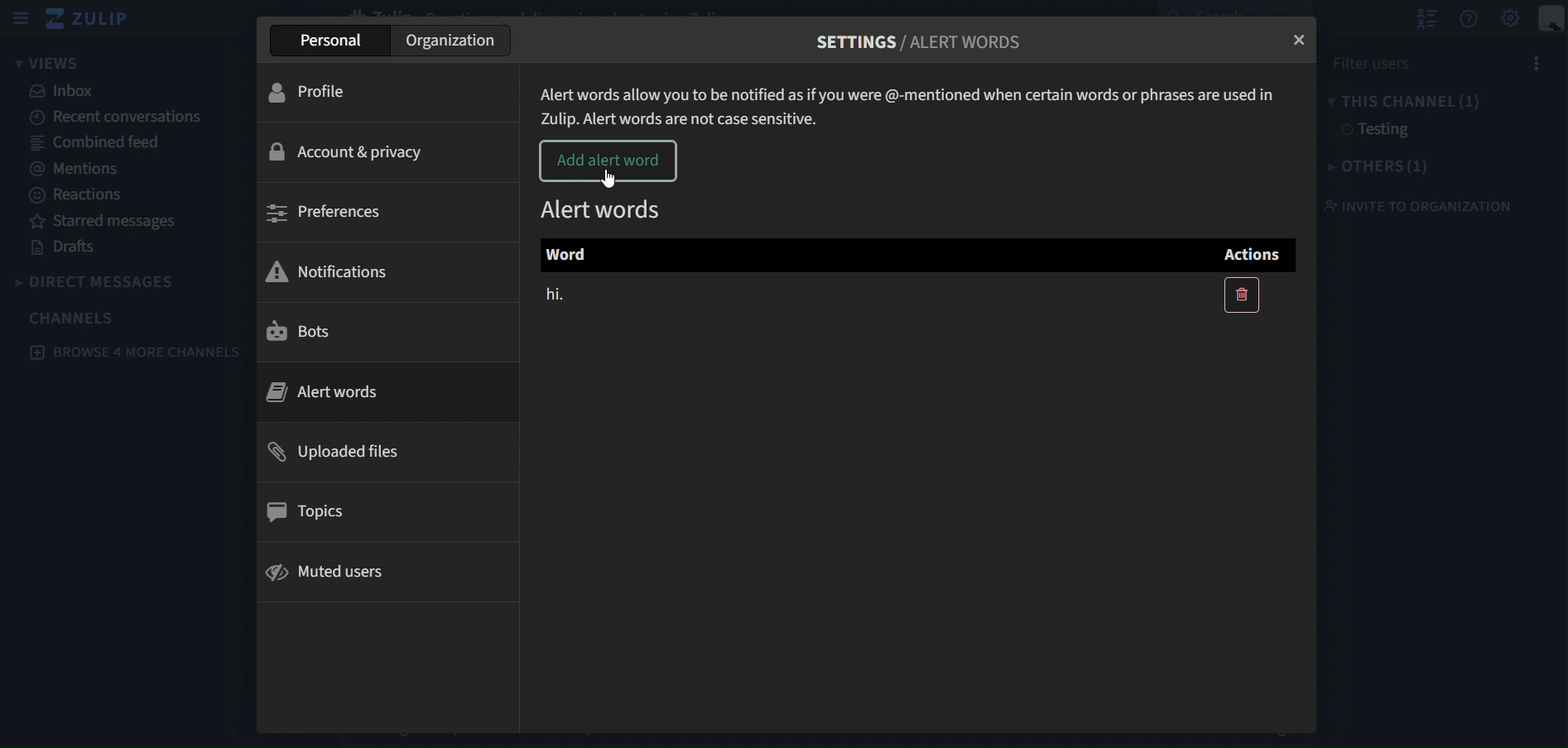 This screenshot has height=748, width=1568. Describe the element at coordinates (335, 212) in the screenshot. I see `preferences` at that location.